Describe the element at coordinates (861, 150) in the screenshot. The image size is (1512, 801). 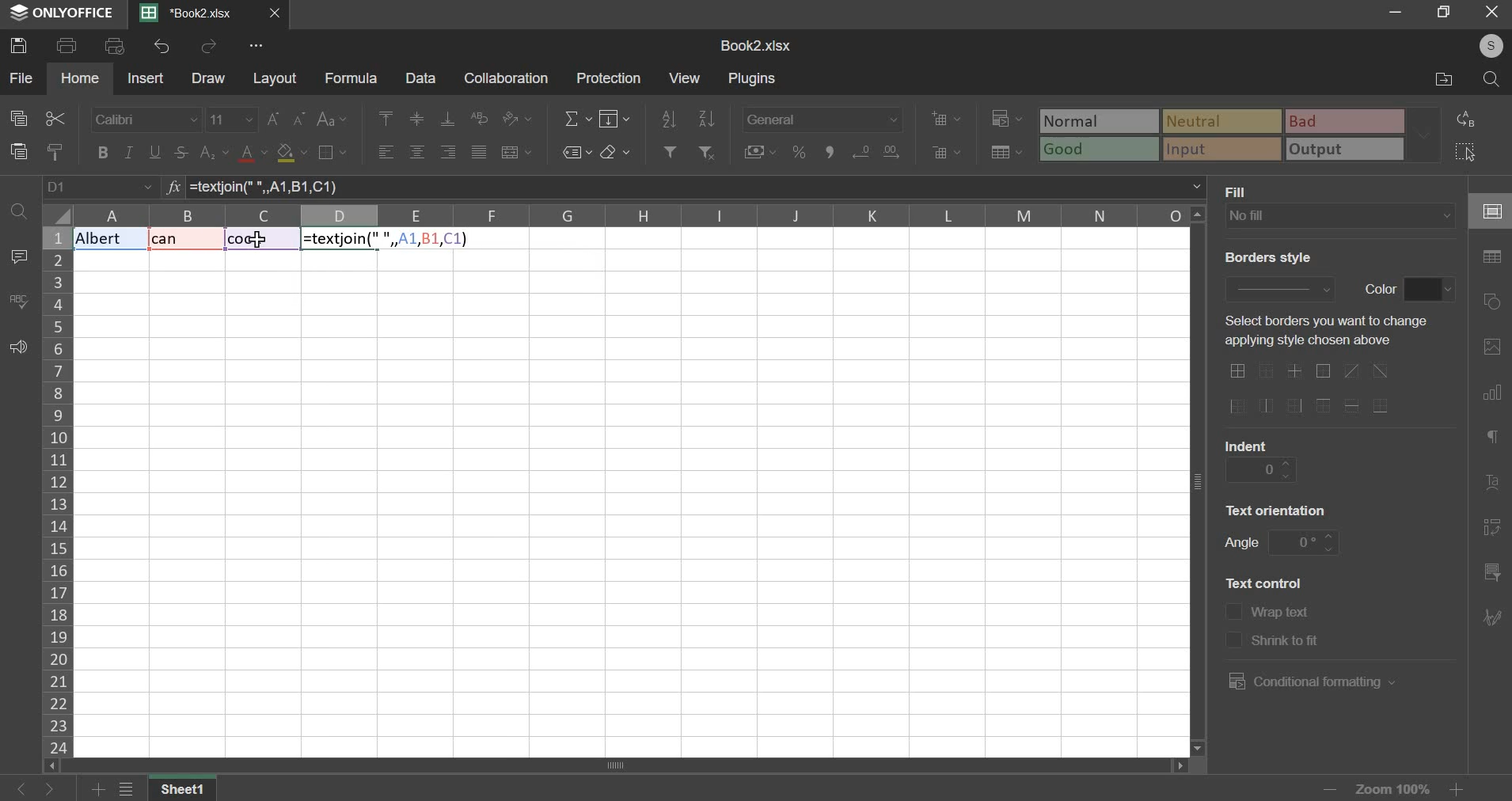
I see `increase decimals` at that location.